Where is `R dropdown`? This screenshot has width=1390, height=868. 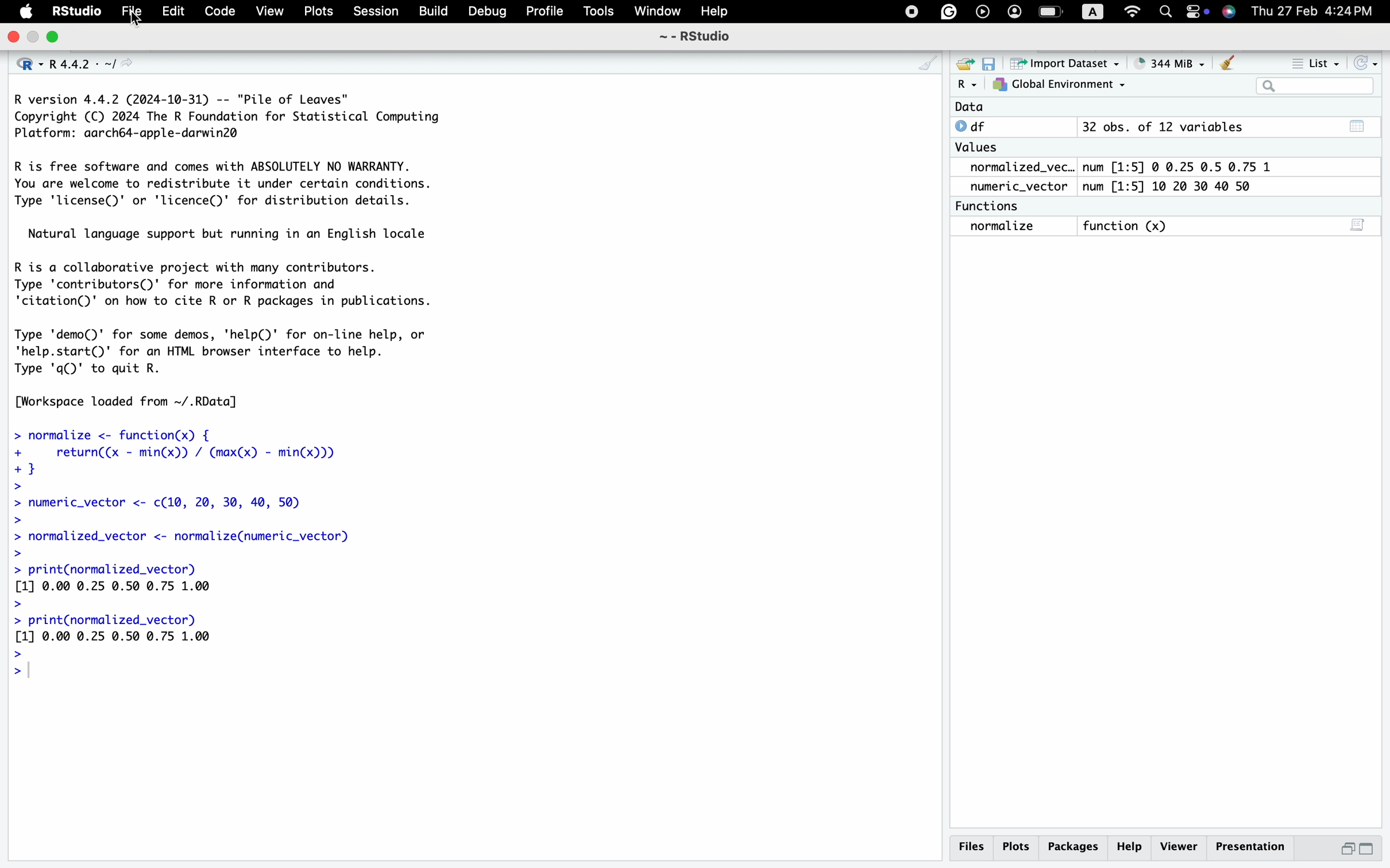 R dropdown is located at coordinates (970, 85).